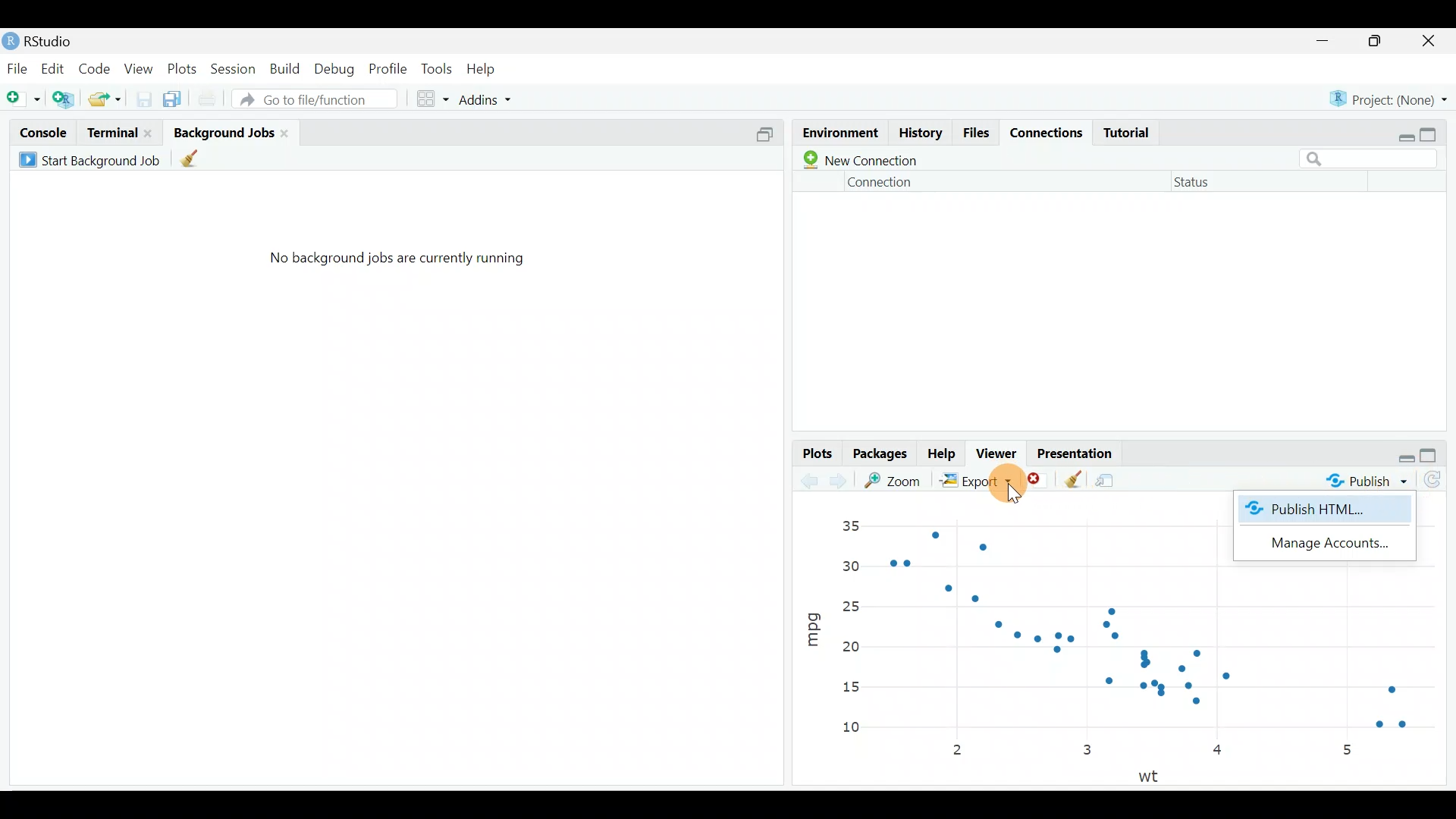 This screenshot has width=1456, height=819. What do you see at coordinates (397, 265) in the screenshot?
I see `No background jobs are currently running` at bounding box center [397, 265].